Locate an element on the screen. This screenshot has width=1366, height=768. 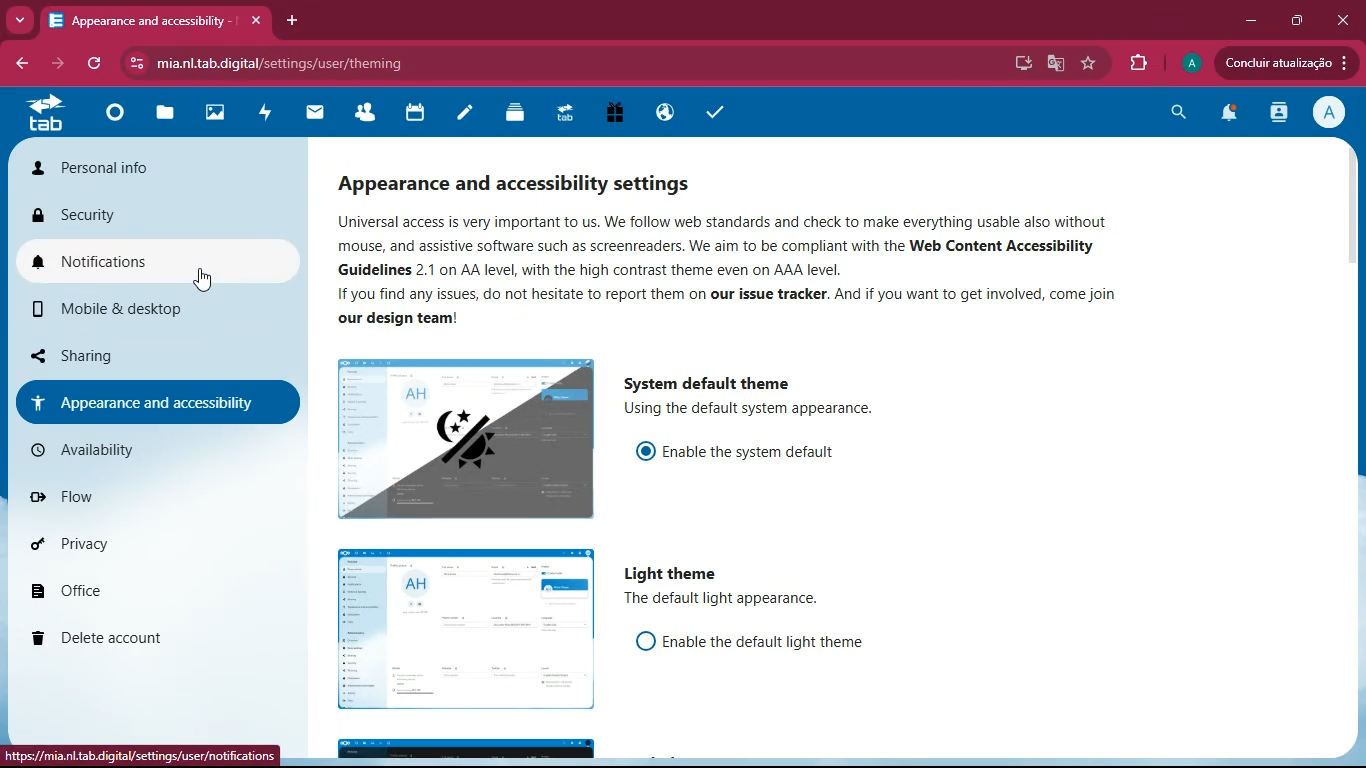
home is located at coordinates (118, 118).